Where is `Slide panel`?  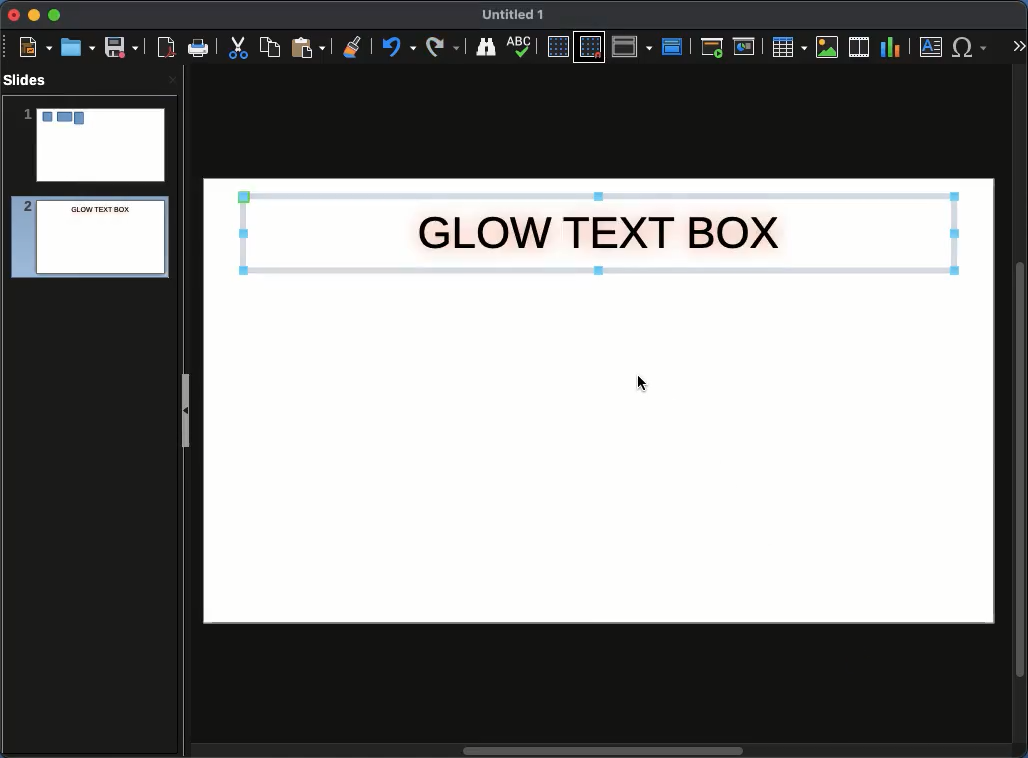
Slide panel is located at coordinates (185, 410).